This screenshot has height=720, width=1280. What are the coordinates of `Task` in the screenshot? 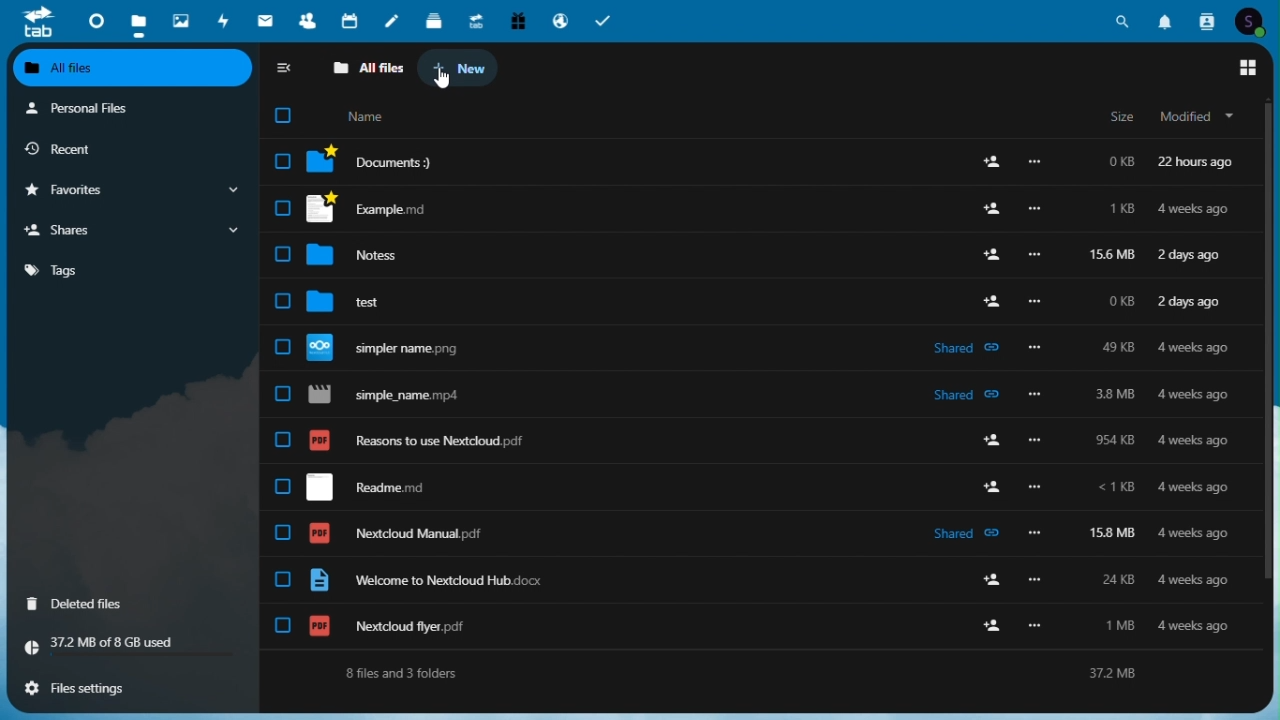 It's located at (604, 20).